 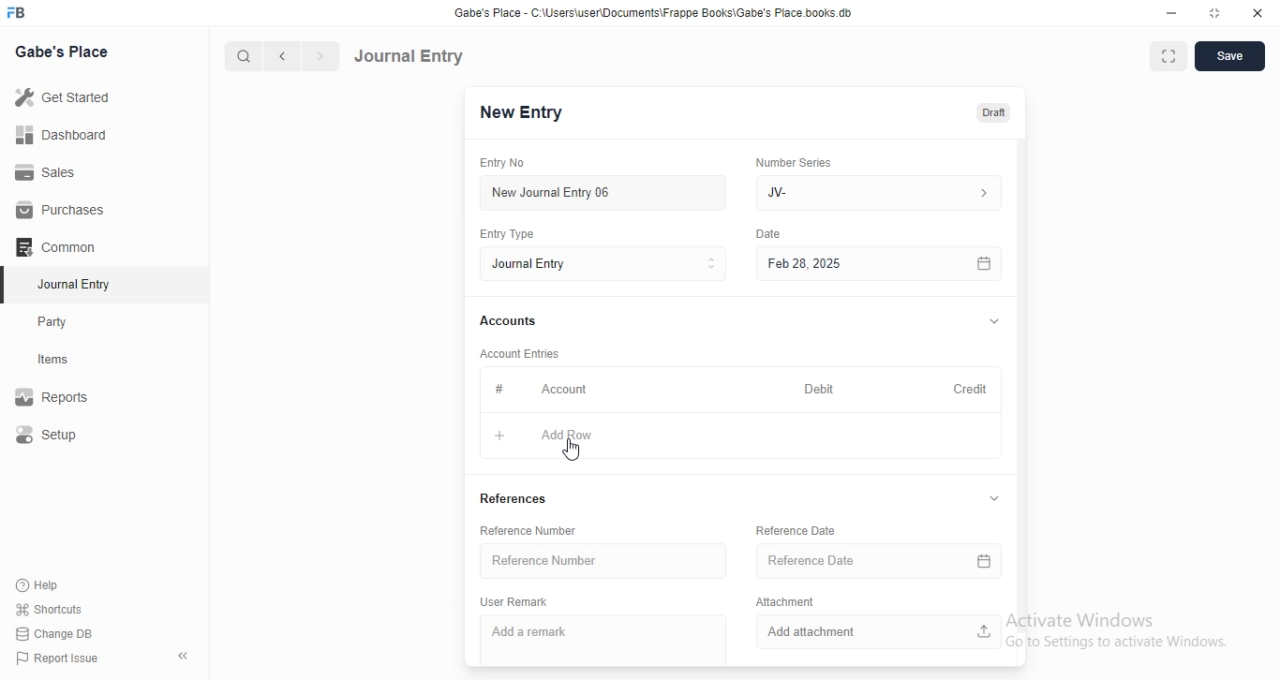 What do you see at coordinates (573, 449) in the screenshot?
I see `cursor` at bounding box center [573, 449].